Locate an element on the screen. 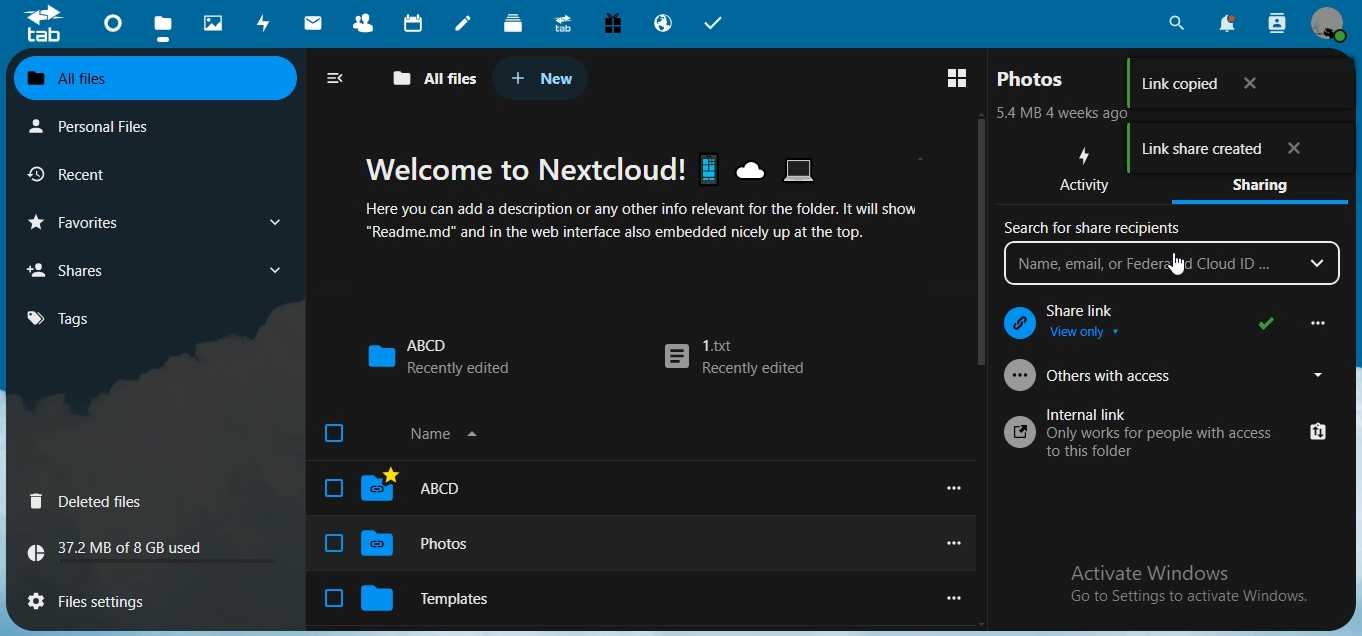 The image size is (1362, 636). others with access is located at coordinates (1170, 375).